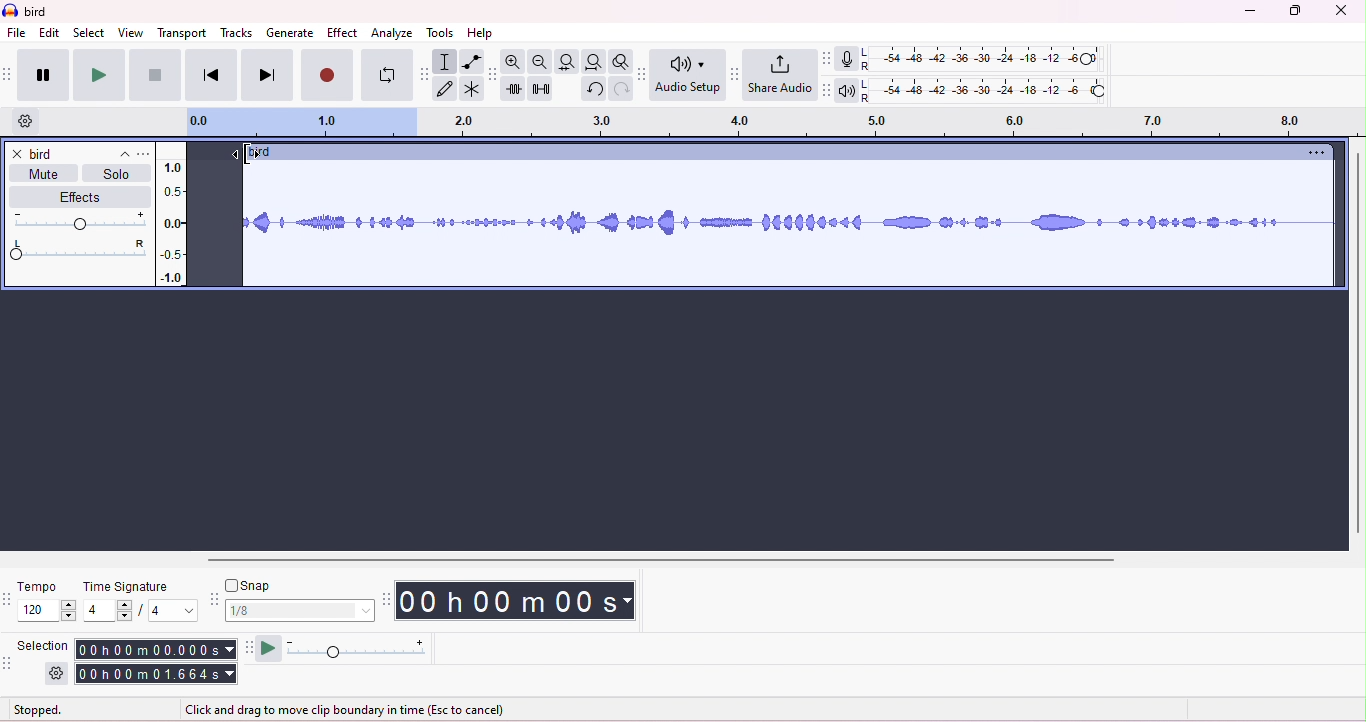 The image size is (1366, 722). I want to click on fit selection to width, so click(566, 61).